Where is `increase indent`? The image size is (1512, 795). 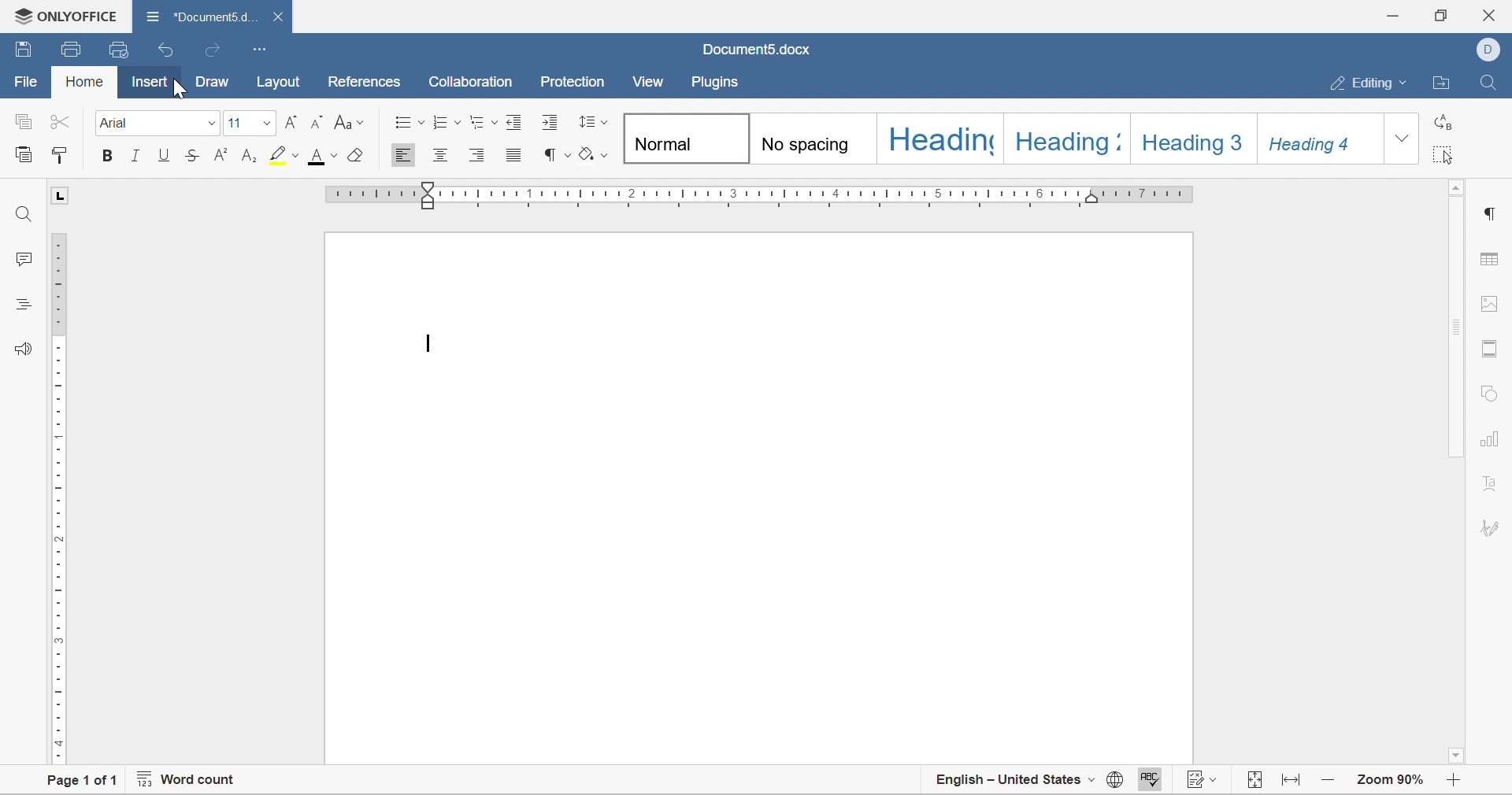
increase indent is located at coordinates (550, 123).